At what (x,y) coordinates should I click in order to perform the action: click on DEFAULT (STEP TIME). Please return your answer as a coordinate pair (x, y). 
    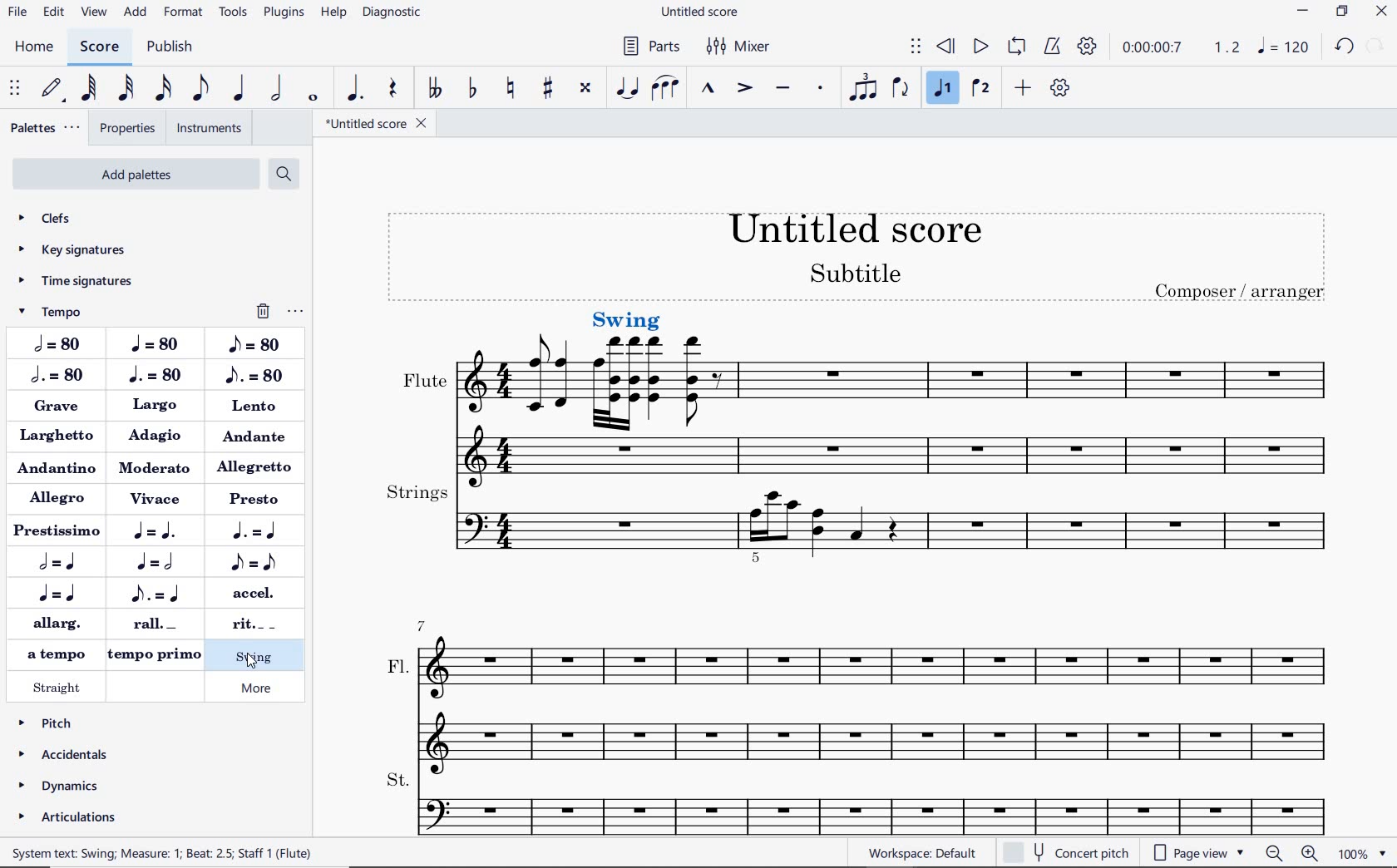
    Looking at the image, I should click on (52, 88).